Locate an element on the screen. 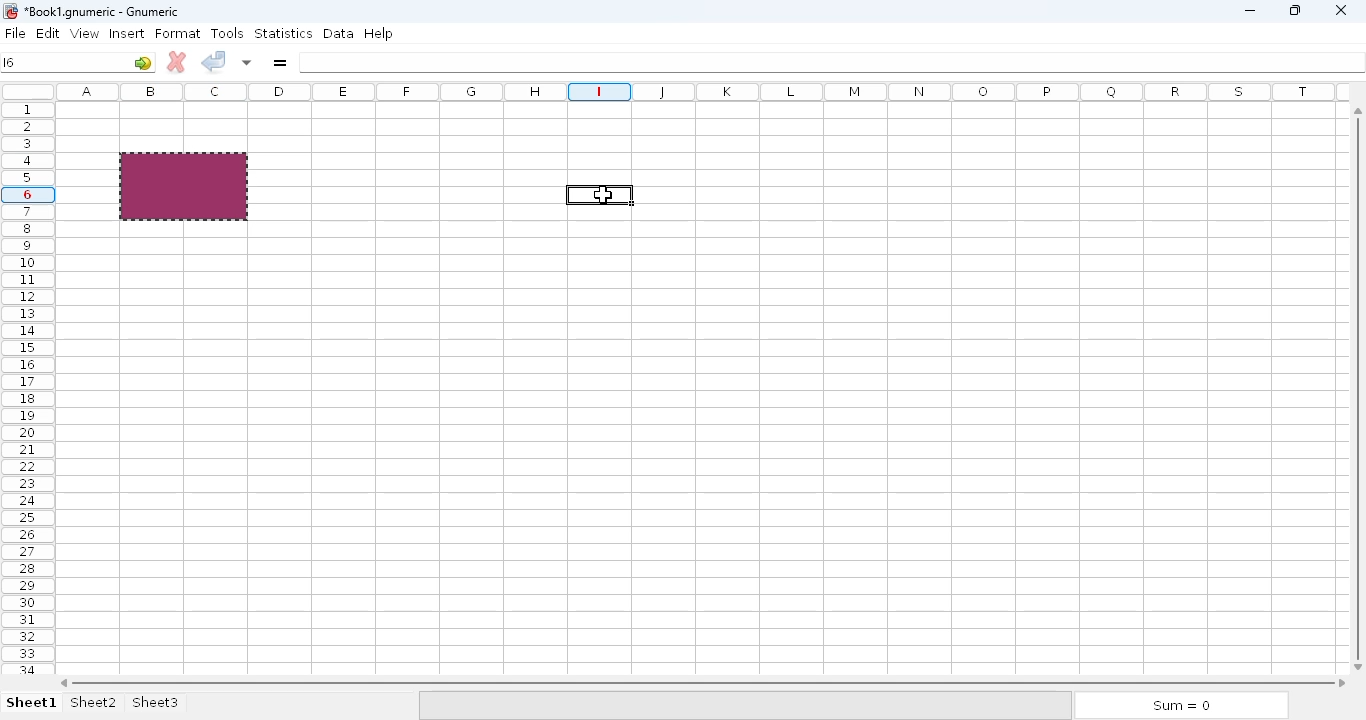  vertical scroll bar is located at coordinates (1358, 399).